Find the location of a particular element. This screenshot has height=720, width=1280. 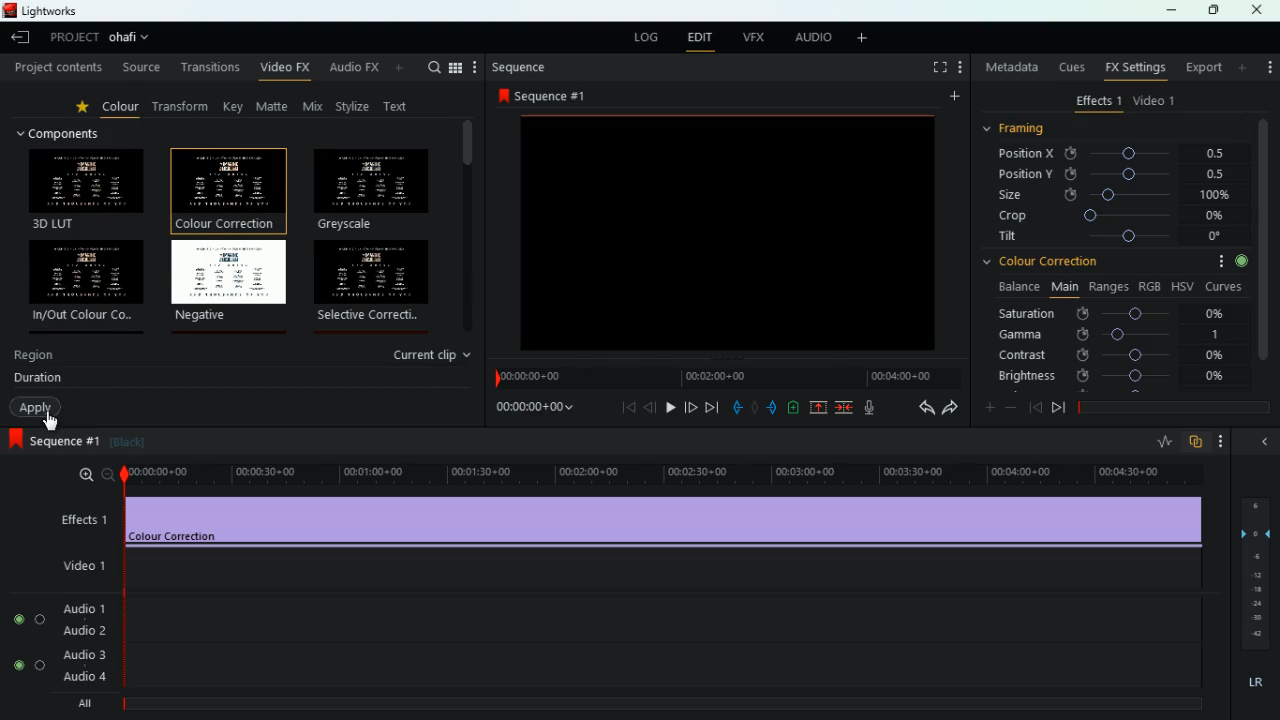

end is located at coordinates (710, 408).